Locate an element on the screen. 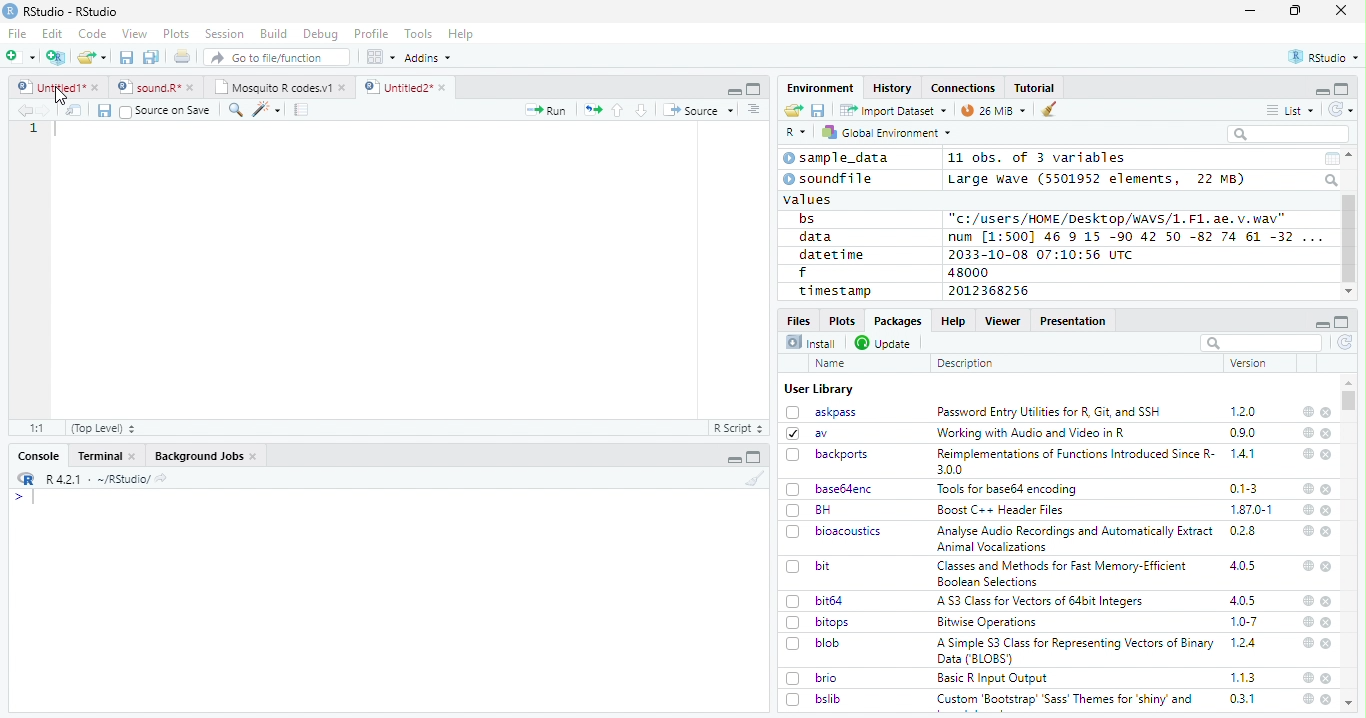 This screenshot has width=1366, height=718. bslib is located at coordinates (814, 698).